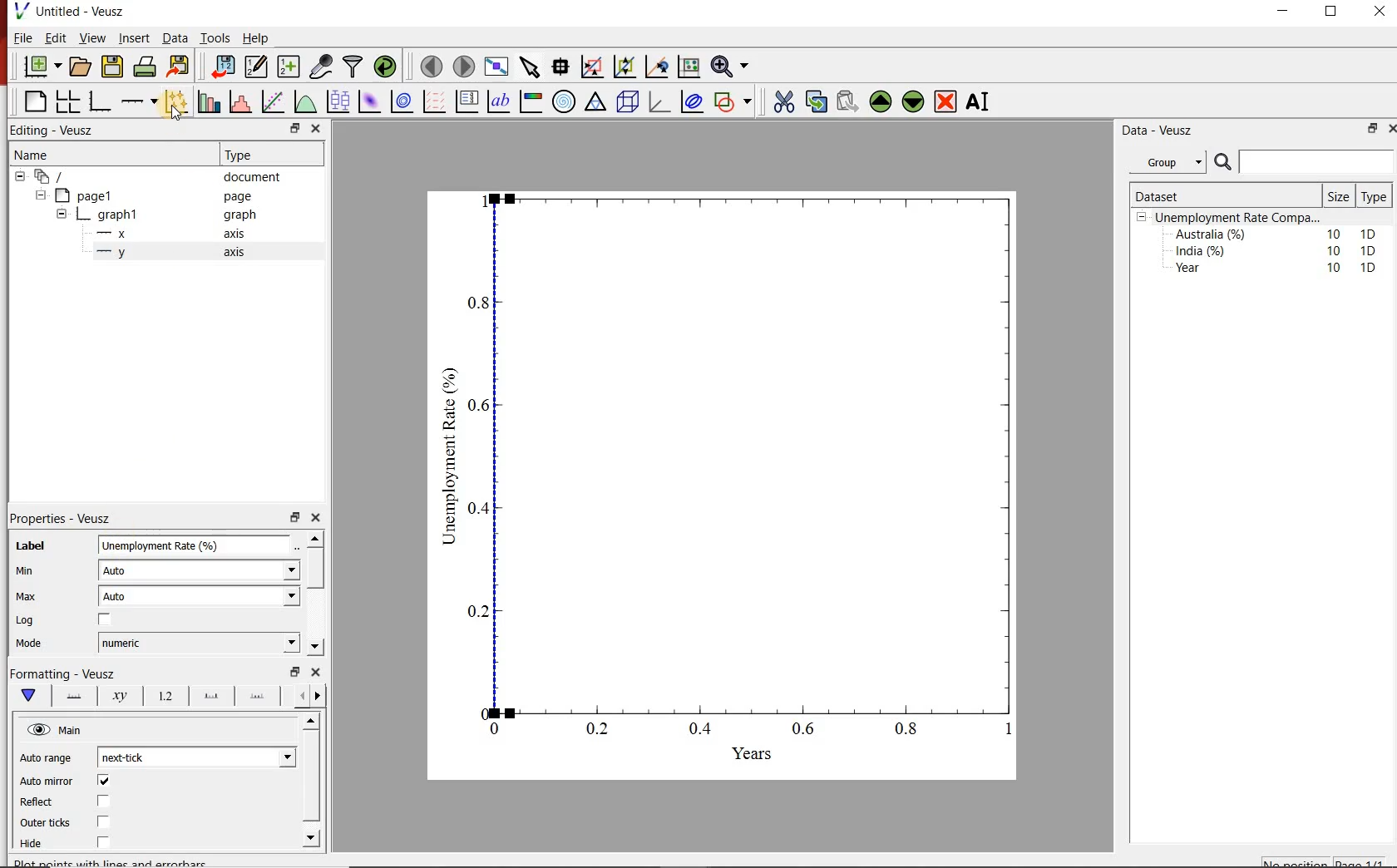  I want to click on numeric, so click(200, 643).